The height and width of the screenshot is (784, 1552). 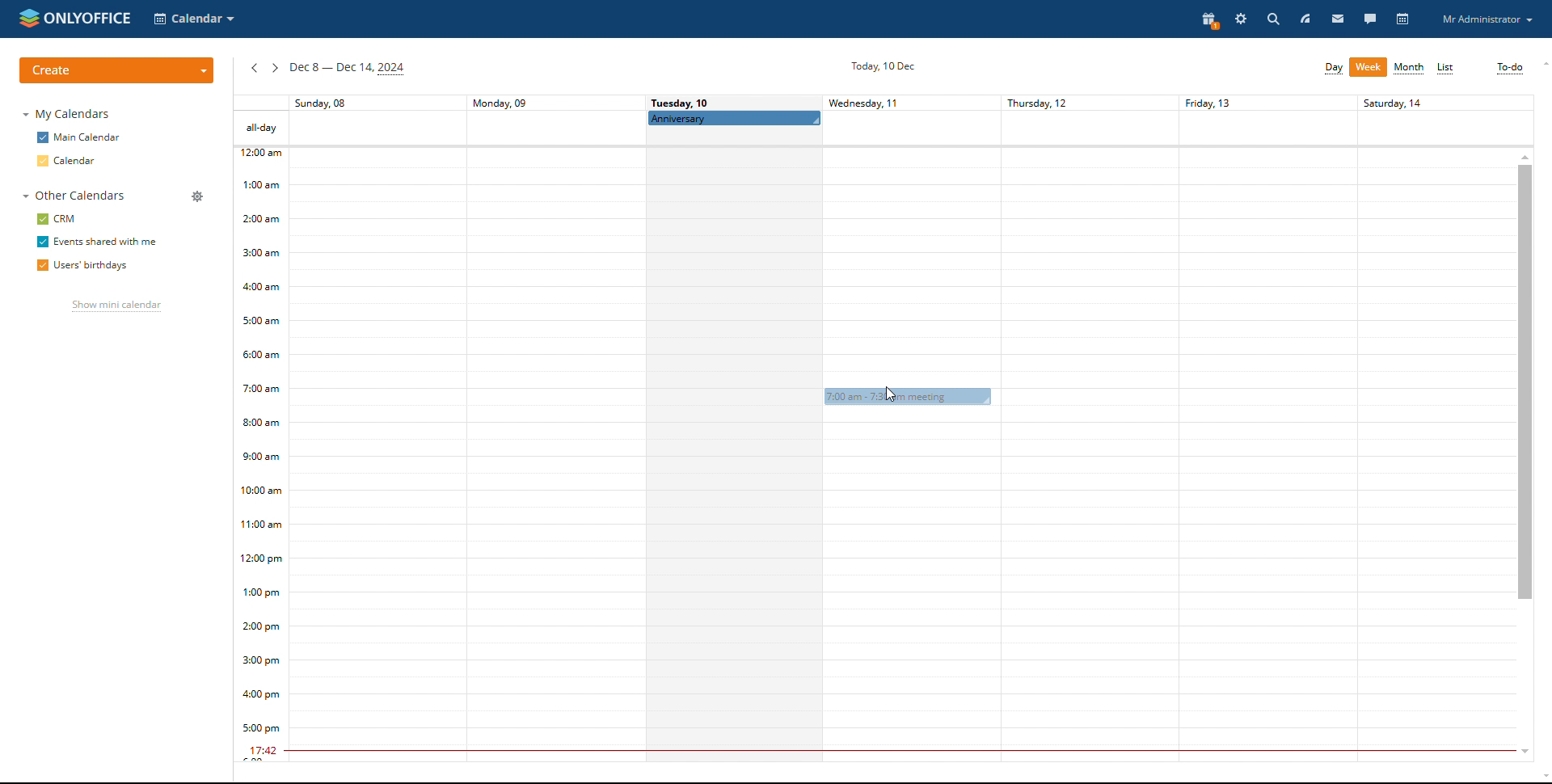 I want to click on 30 min span of the day, so click(x=902, y=464).